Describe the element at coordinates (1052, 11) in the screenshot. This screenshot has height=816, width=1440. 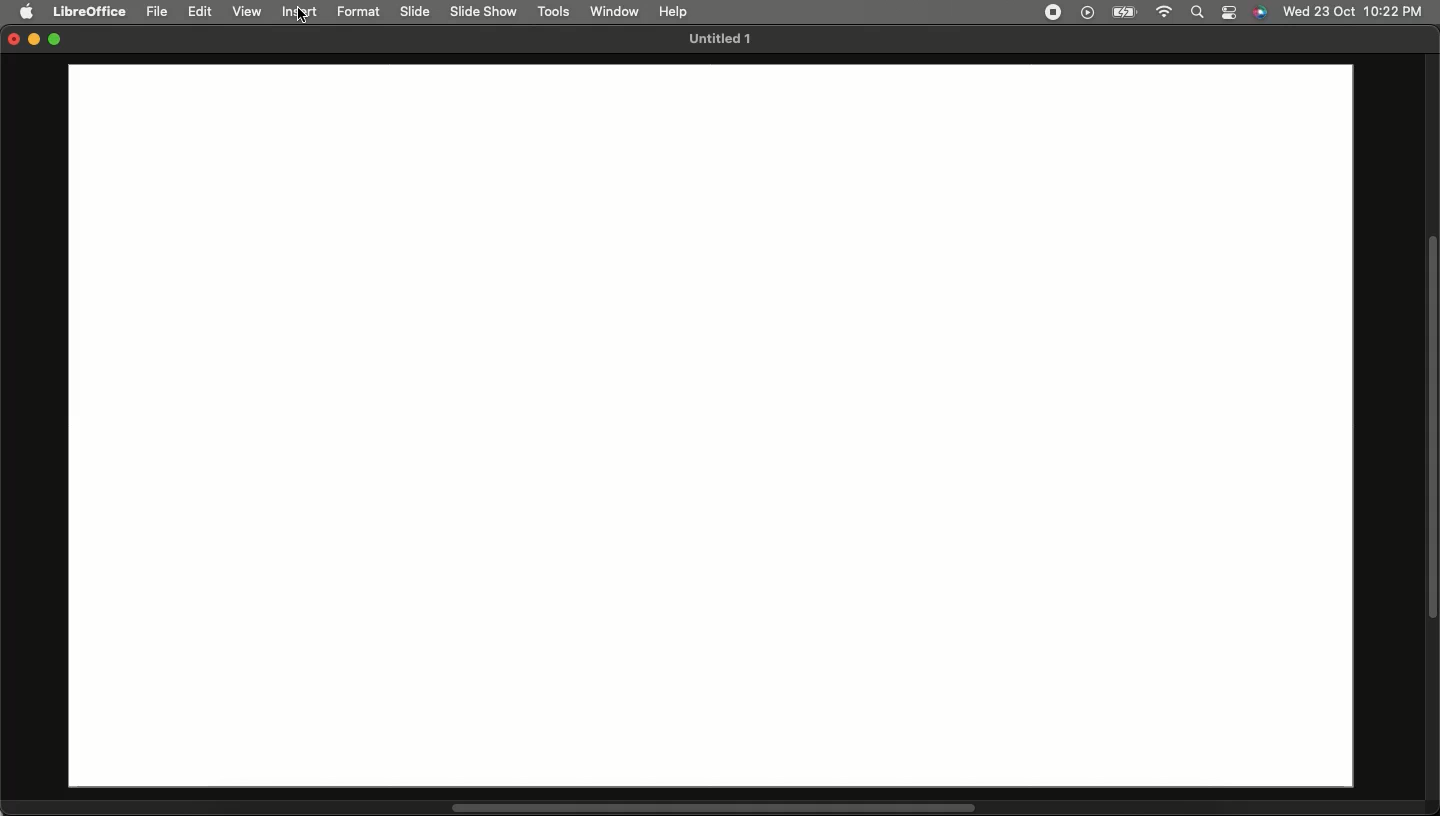
I see `Recording` at that location.